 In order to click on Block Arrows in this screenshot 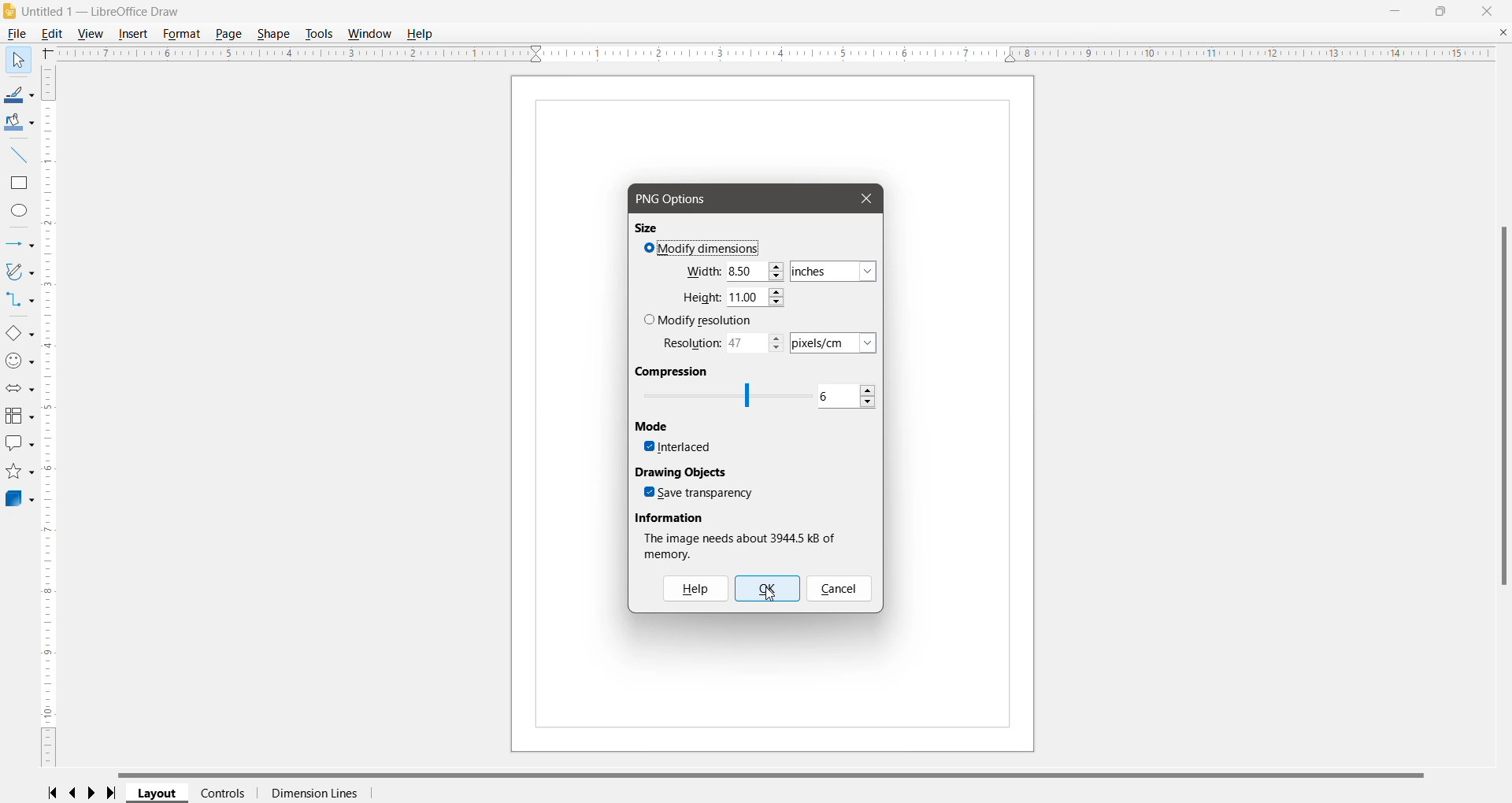, I will do `click(18, 390)`.